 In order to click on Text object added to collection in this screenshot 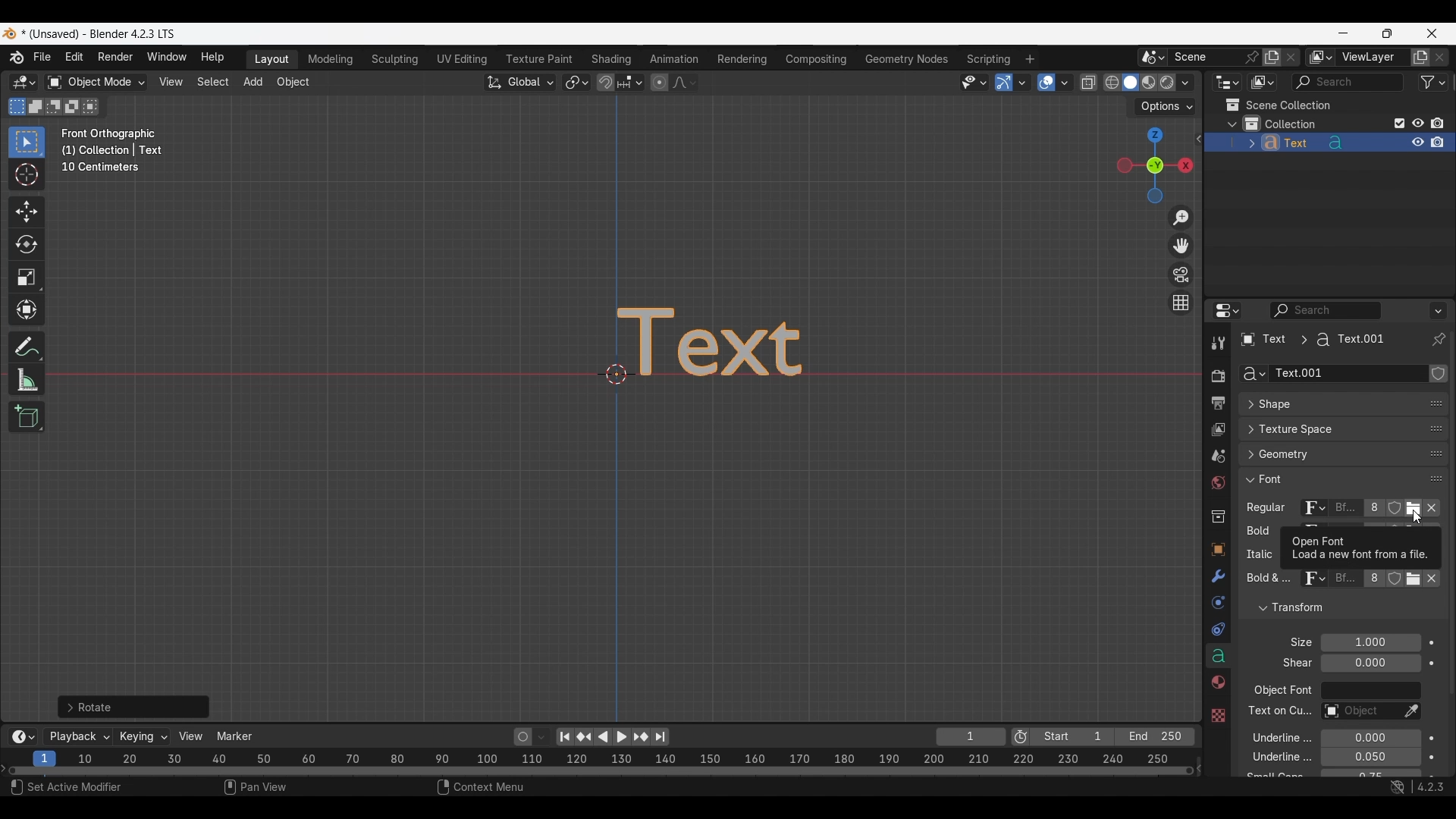, I will do `click(1329, 143)`.